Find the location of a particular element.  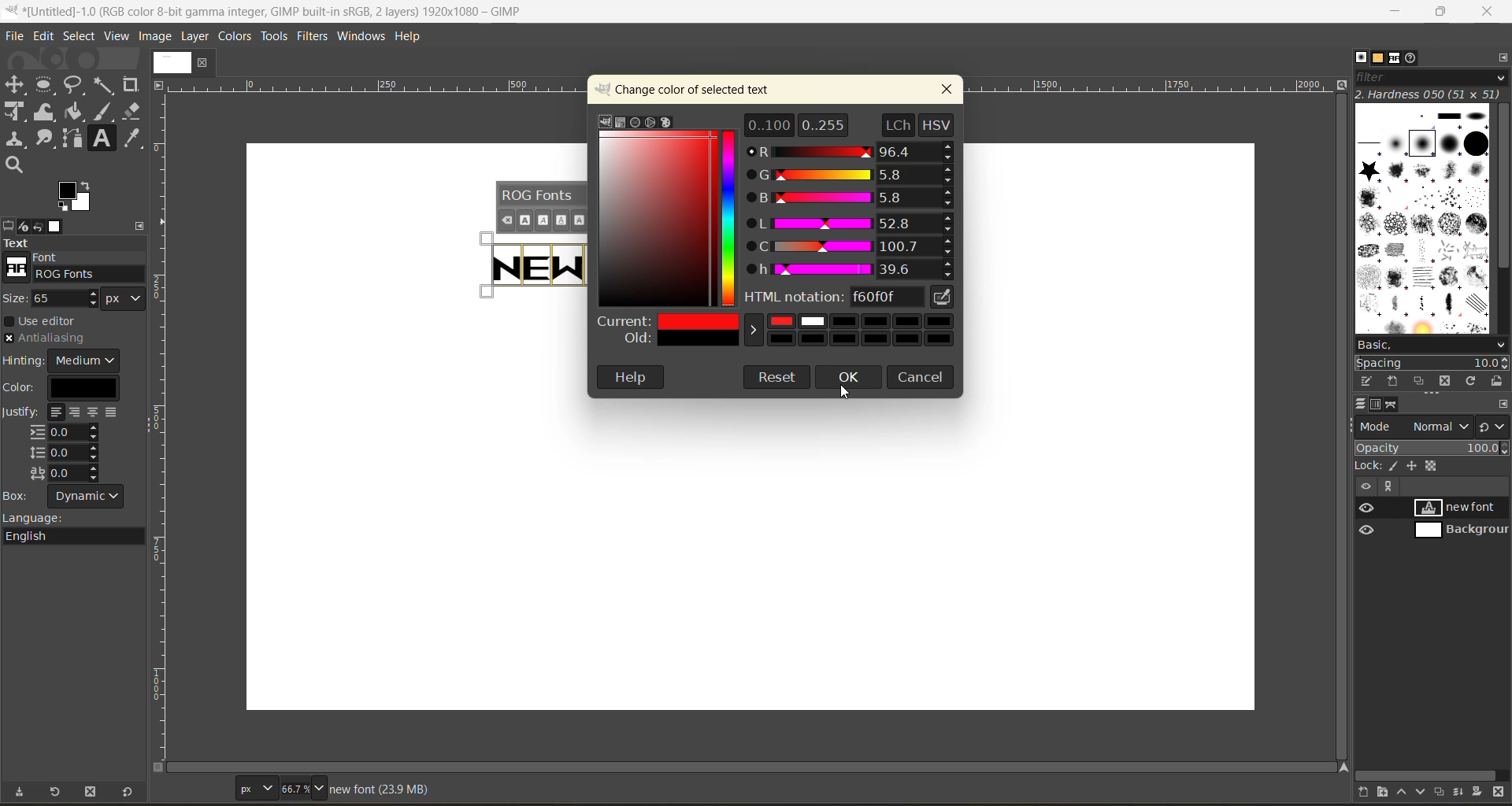

text is located at coordinates (528, 264).